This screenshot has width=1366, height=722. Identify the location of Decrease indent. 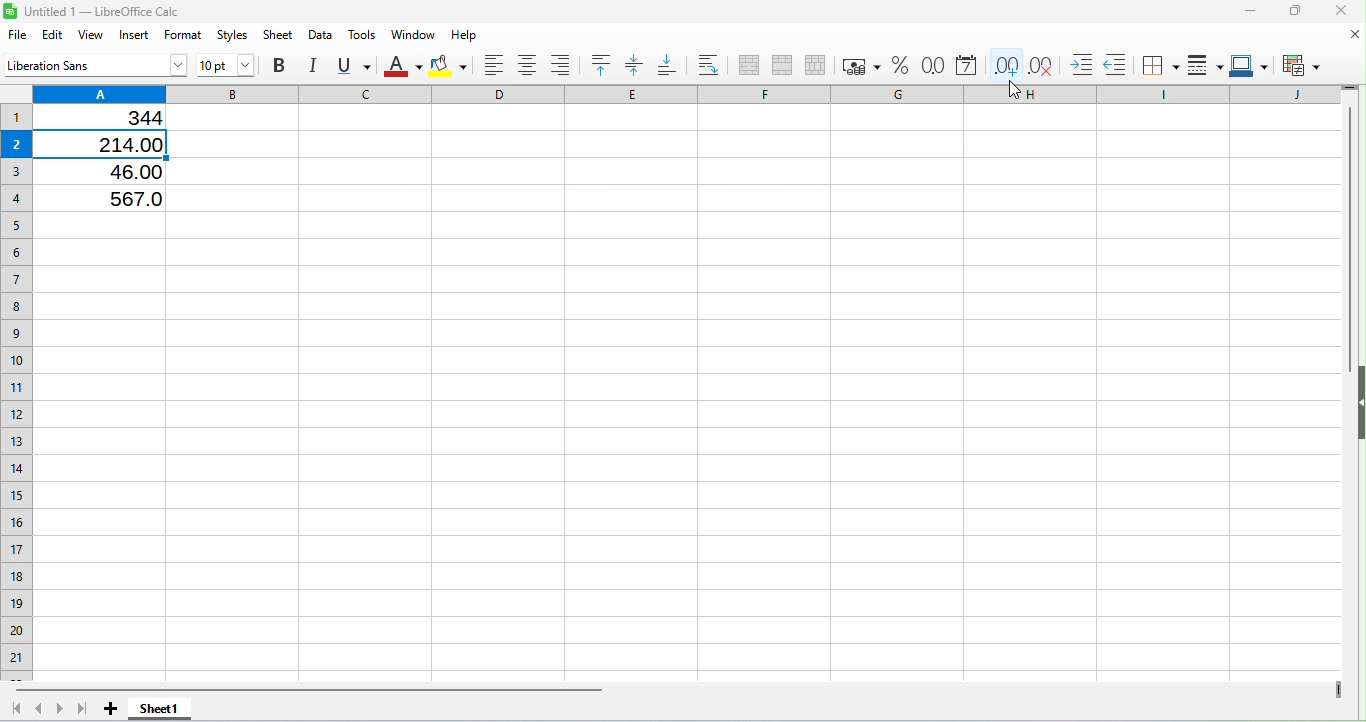
(1115, 61).